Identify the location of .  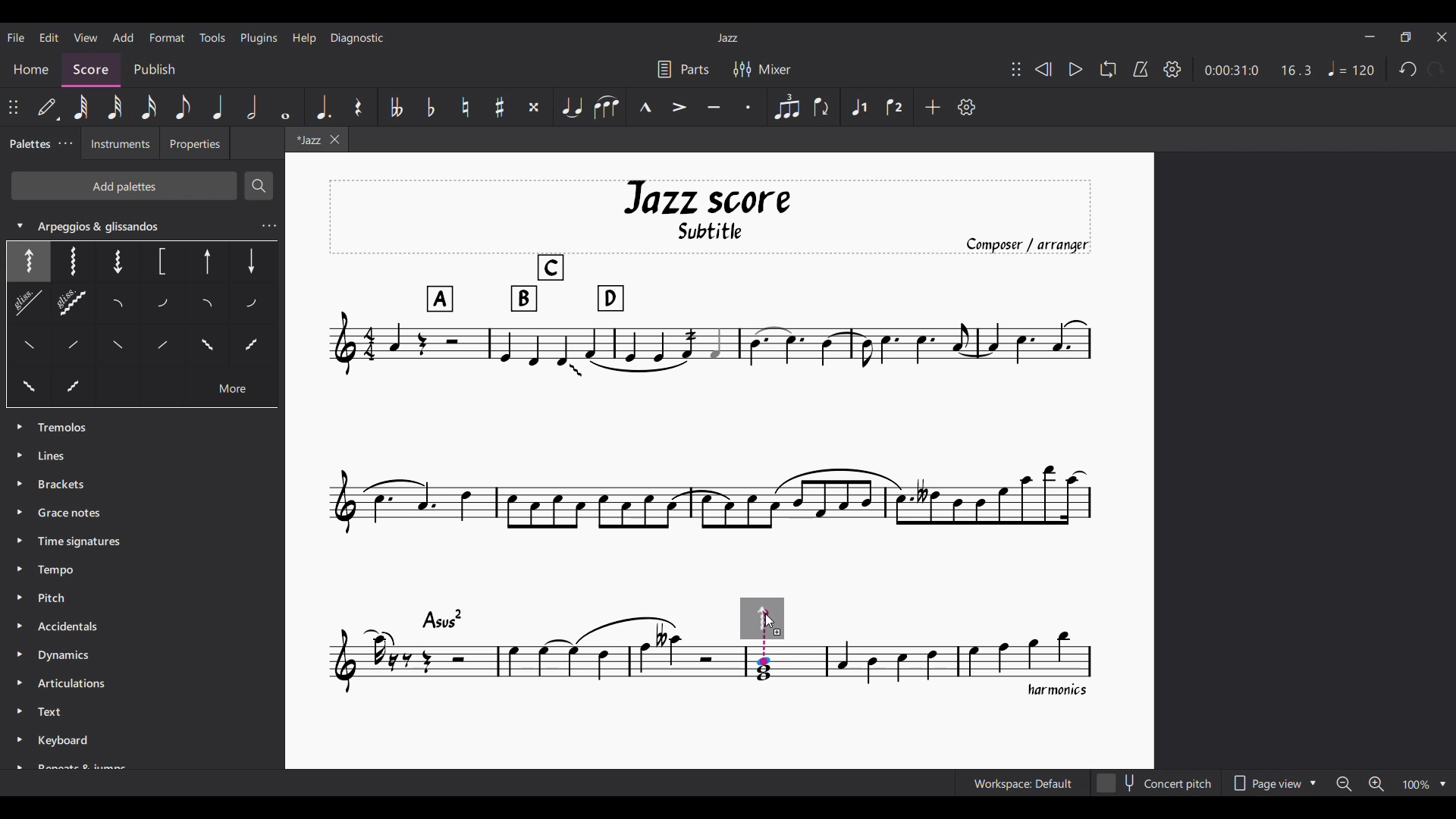
(67, 261).